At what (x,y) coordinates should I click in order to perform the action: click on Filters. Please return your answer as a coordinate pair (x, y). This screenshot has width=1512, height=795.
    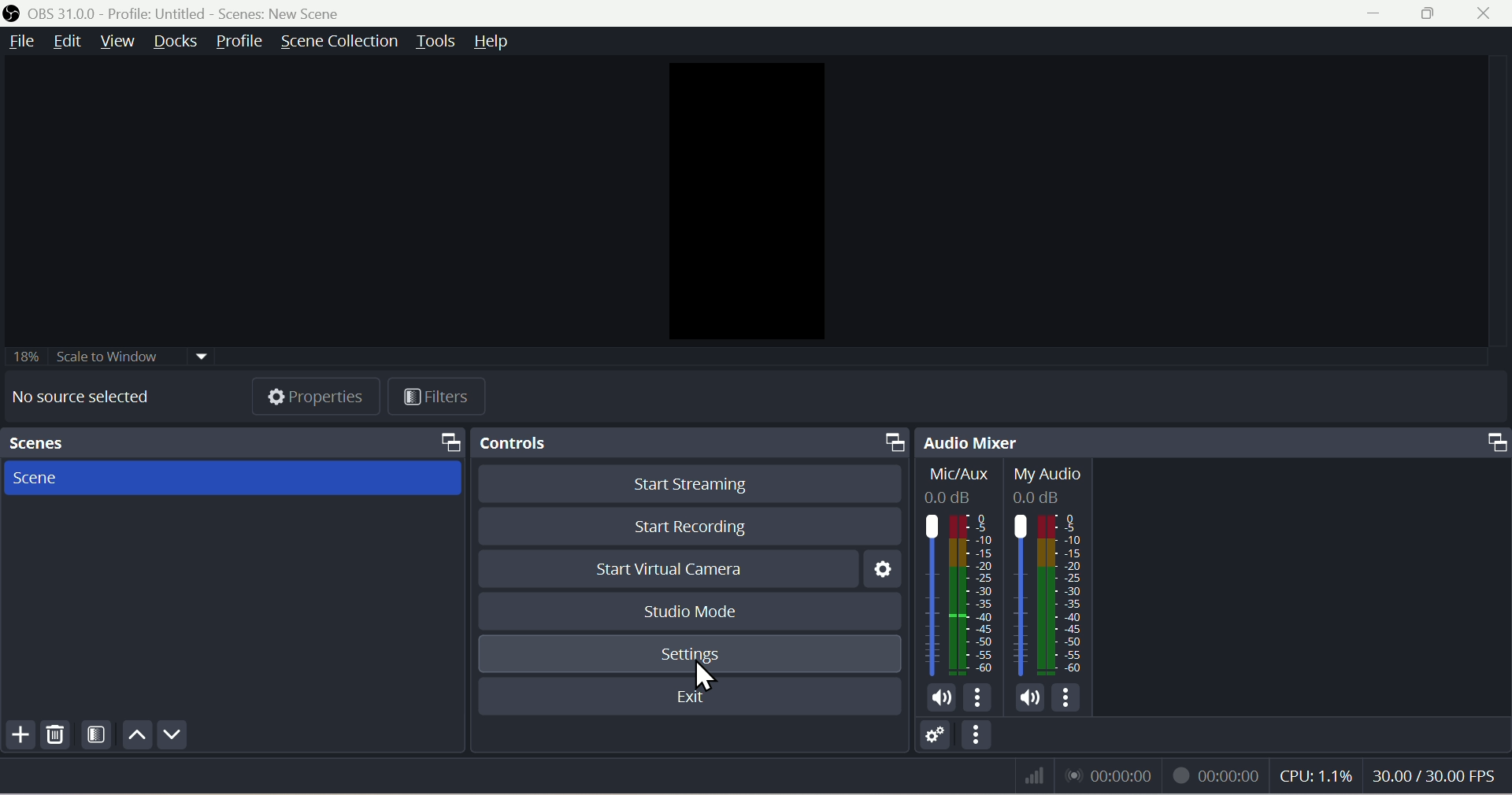
    Looking at the image, I should click on (435, 397).